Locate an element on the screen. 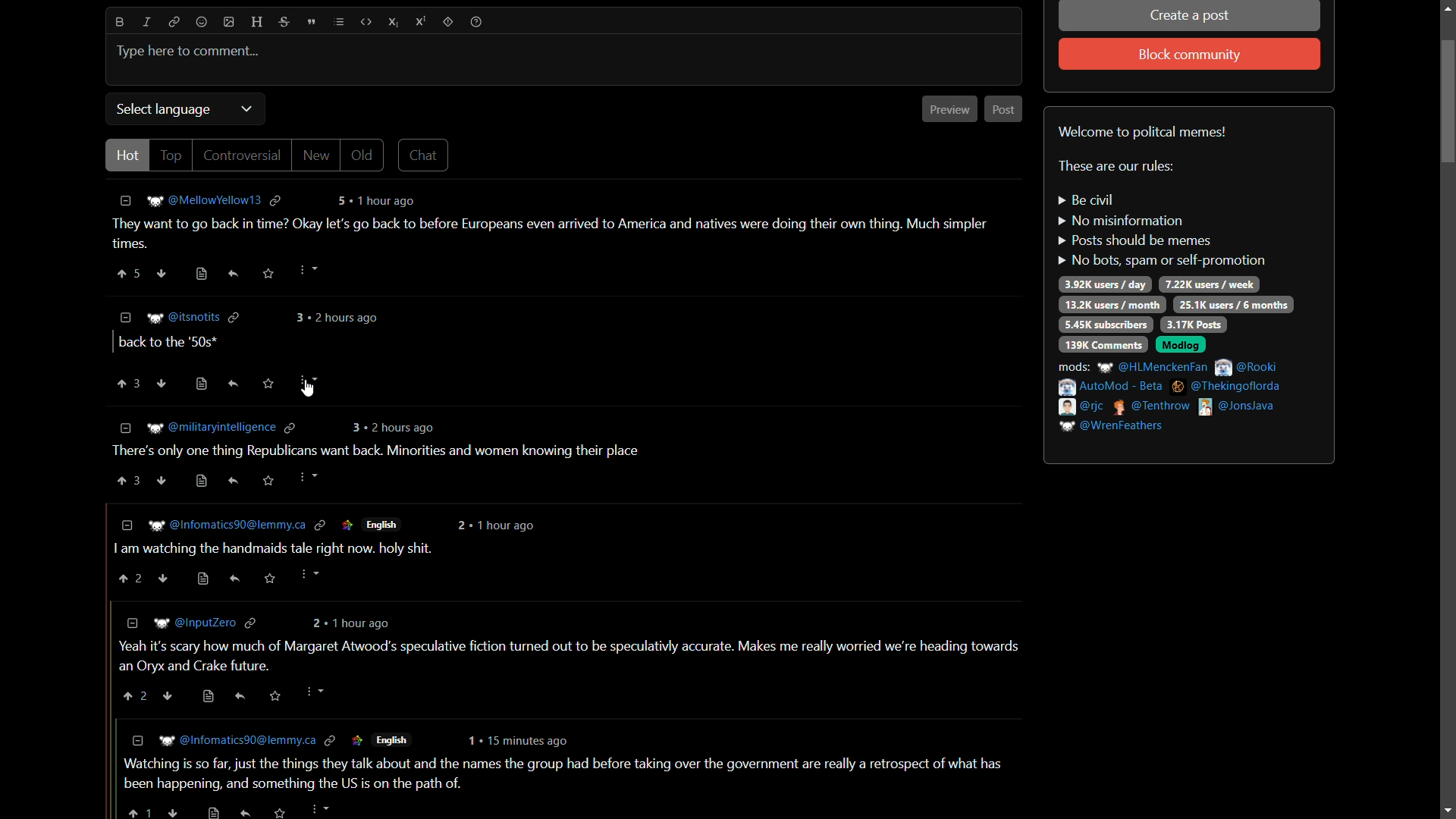 The image size is (1456, 819). welcome to political memes is located at coordinates (1145, 132).